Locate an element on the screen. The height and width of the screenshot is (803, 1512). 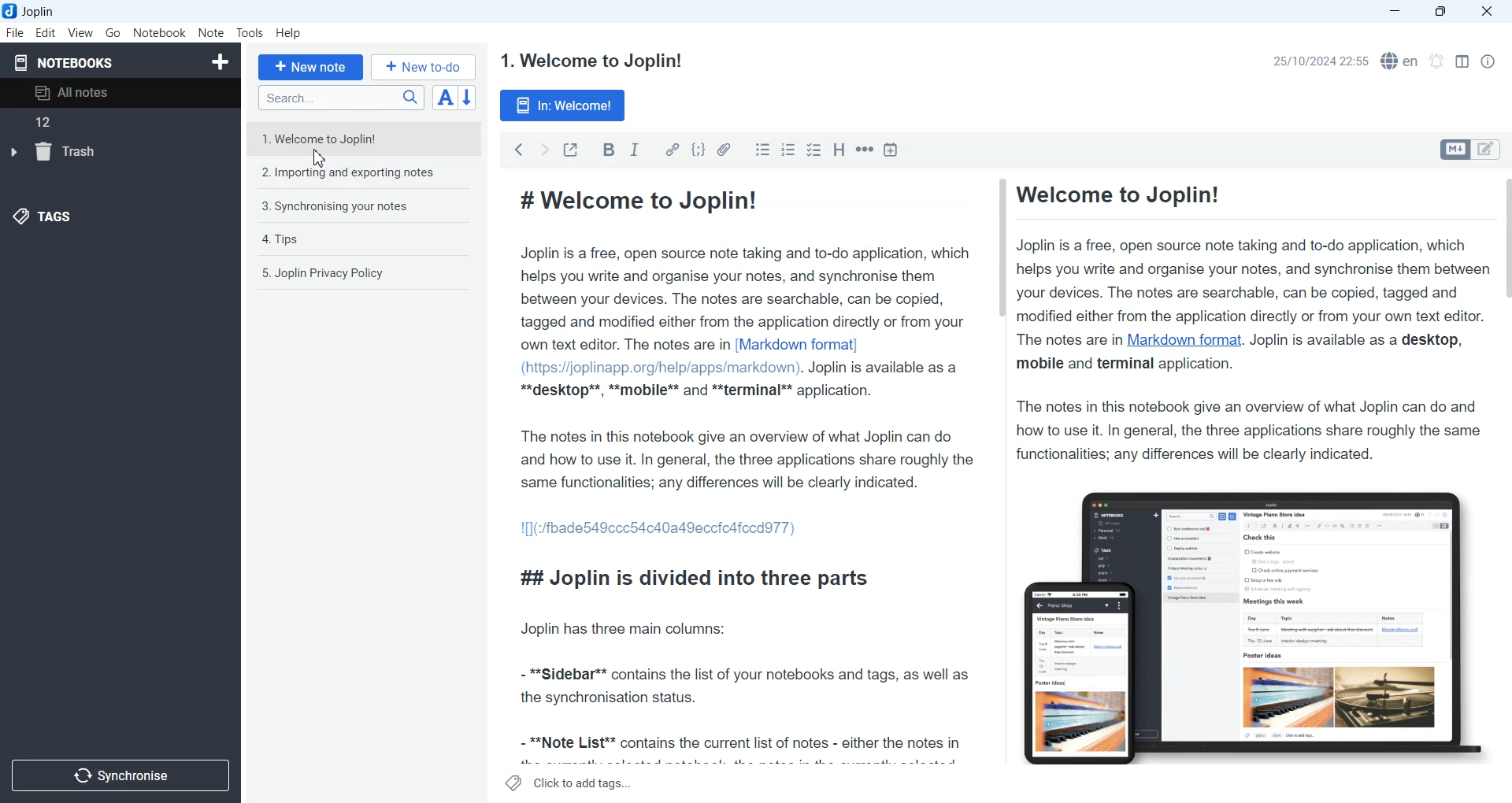
Code is located at coordinates (699, 150).